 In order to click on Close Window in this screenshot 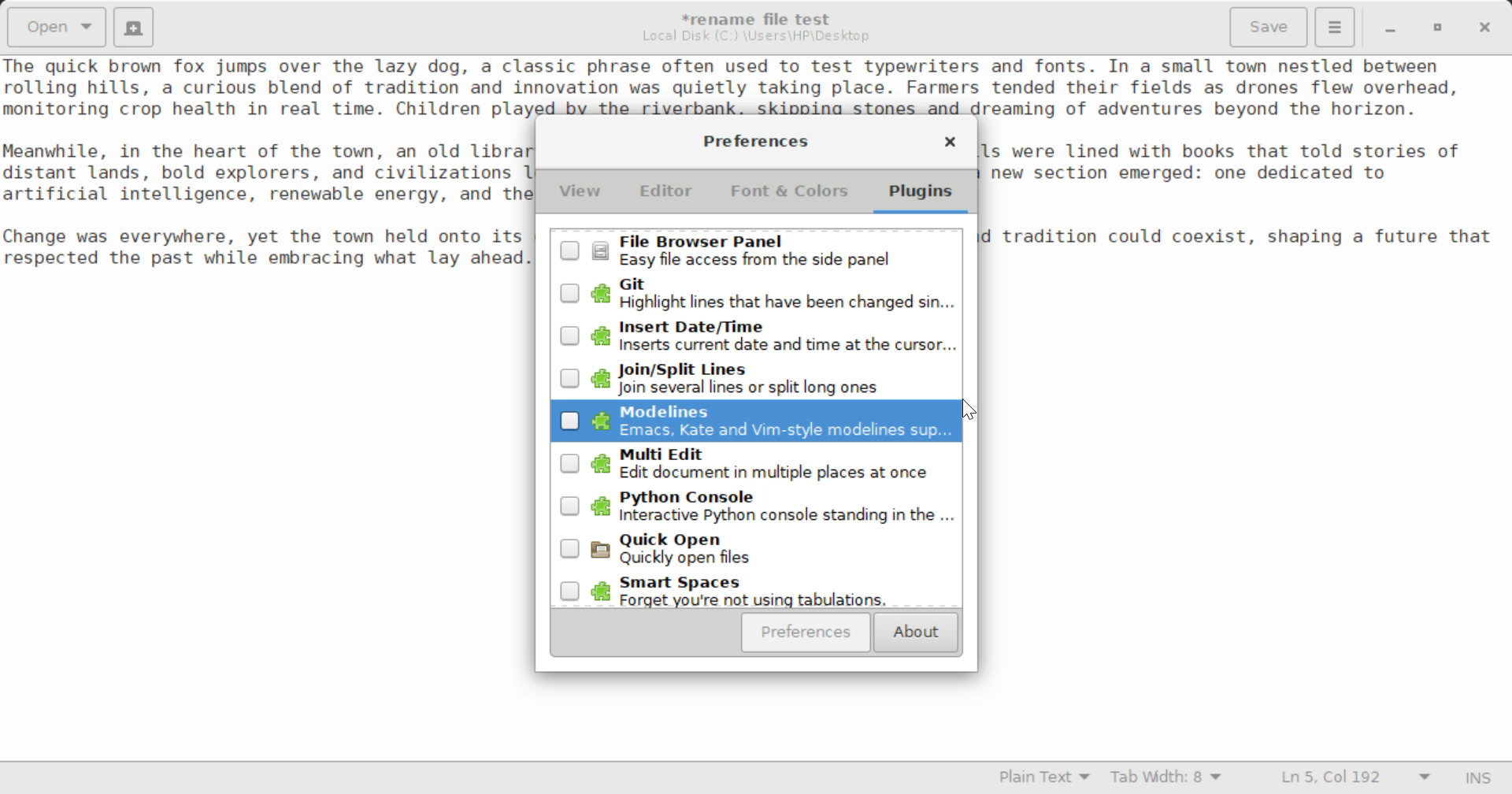, I will do `click(950, 144)`.